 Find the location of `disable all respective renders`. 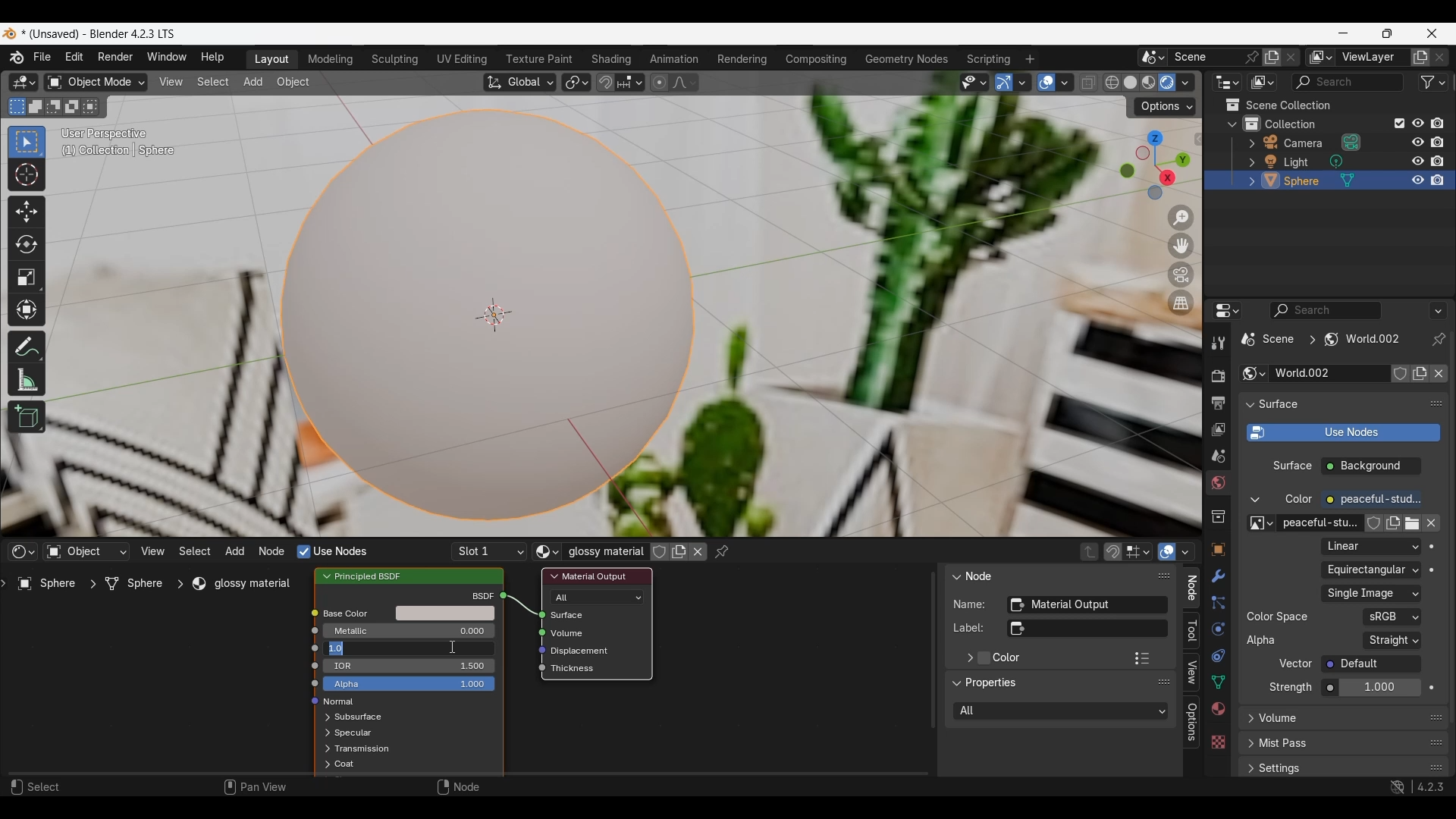

disable all respective renders is located at coordinates (1442, 161).